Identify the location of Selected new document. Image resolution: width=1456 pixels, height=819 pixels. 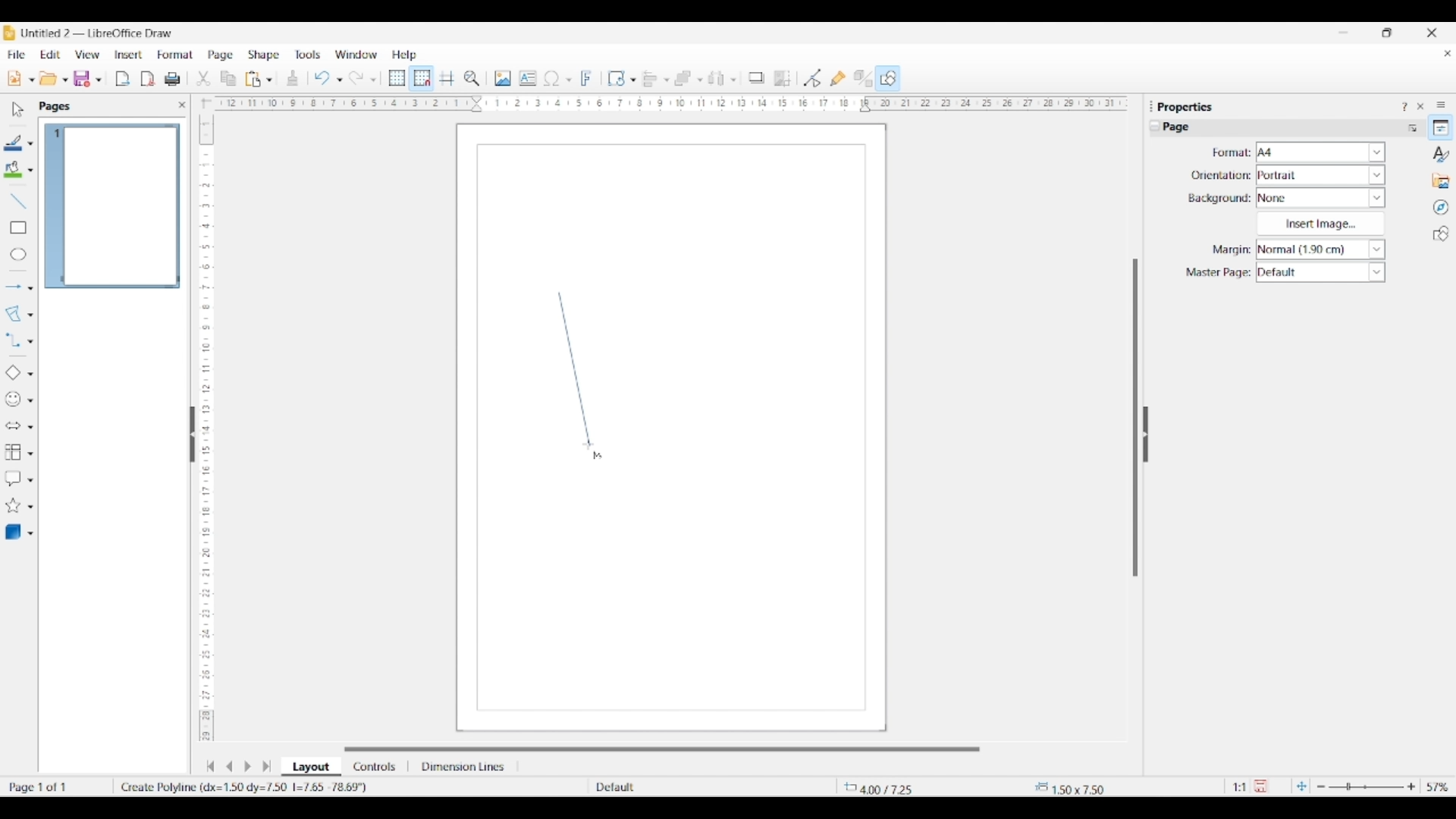
(14, 78).